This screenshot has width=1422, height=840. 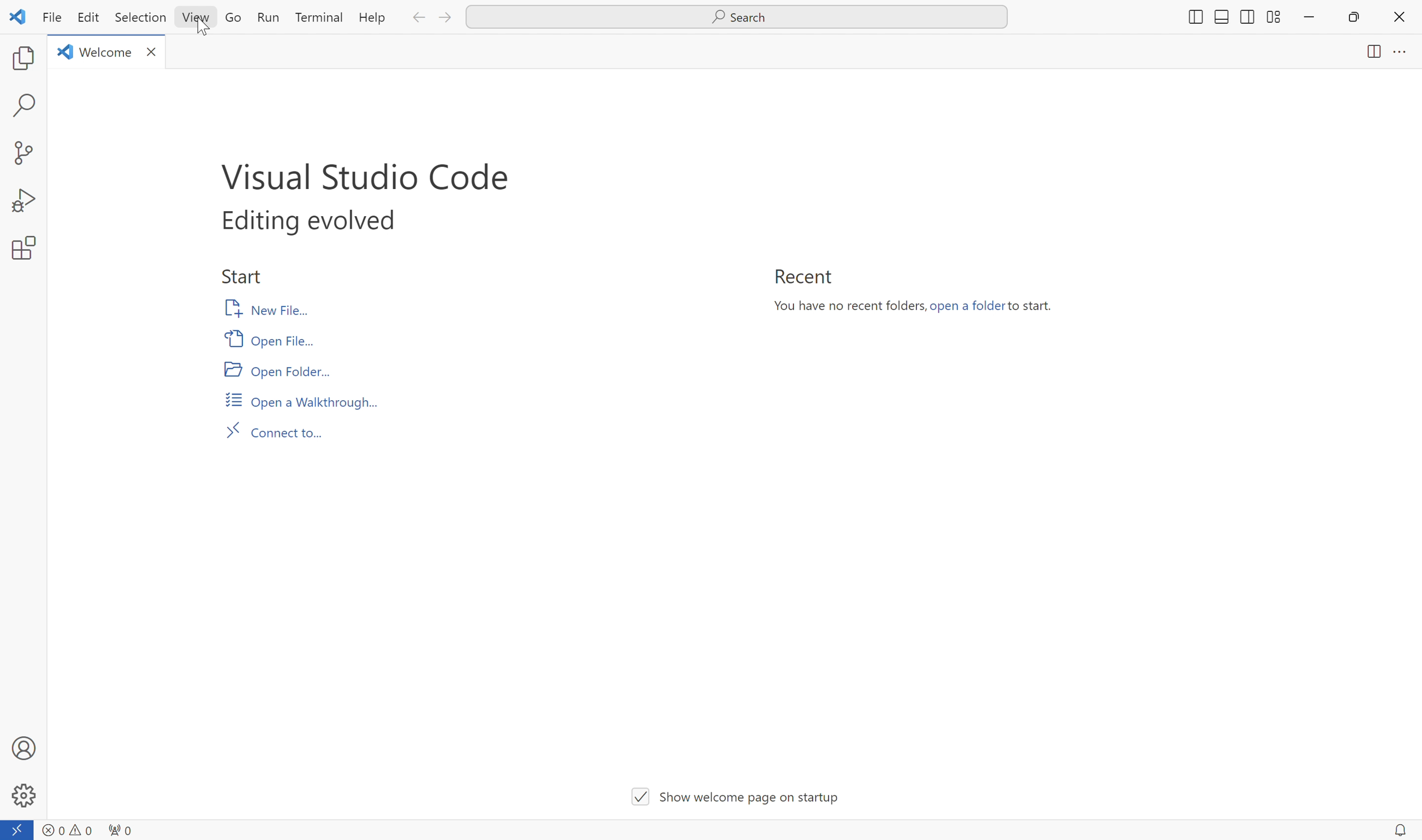 I want to click on Connect to, so click(x=280, y=434).